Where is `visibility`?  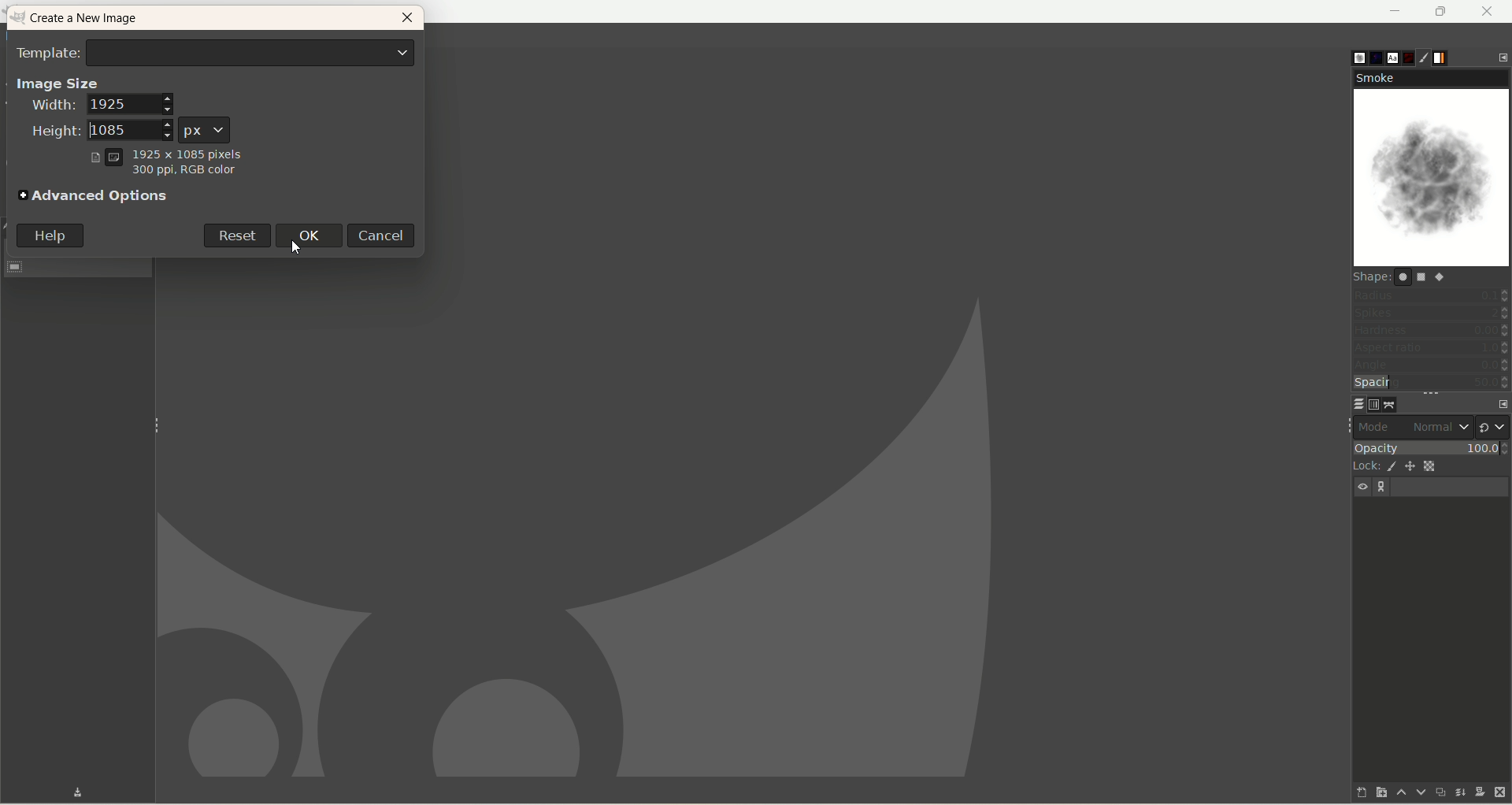
visibility is located at coordinates (1364, 487).